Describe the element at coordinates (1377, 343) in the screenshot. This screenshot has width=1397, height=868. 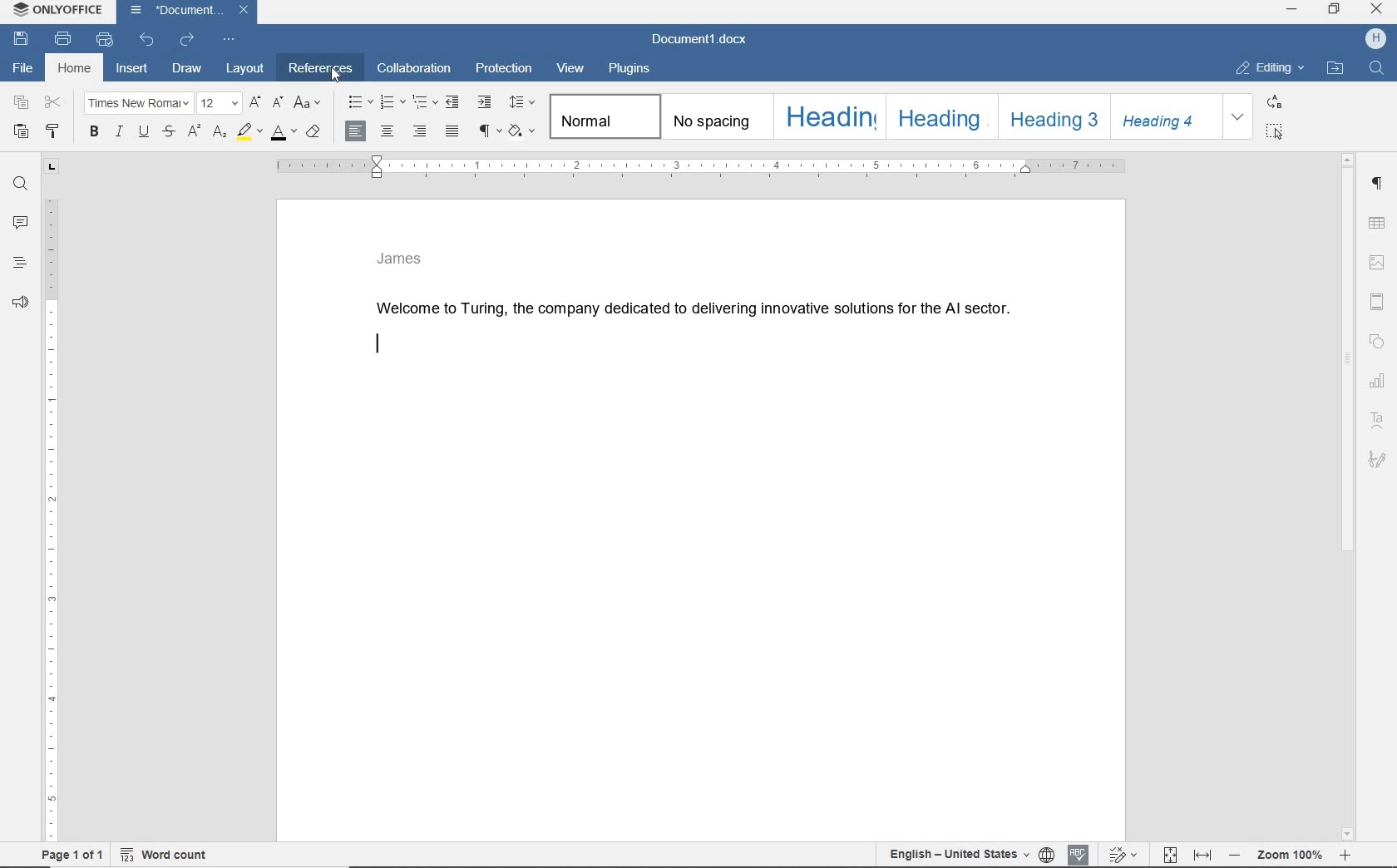
I see `shape` at that location.